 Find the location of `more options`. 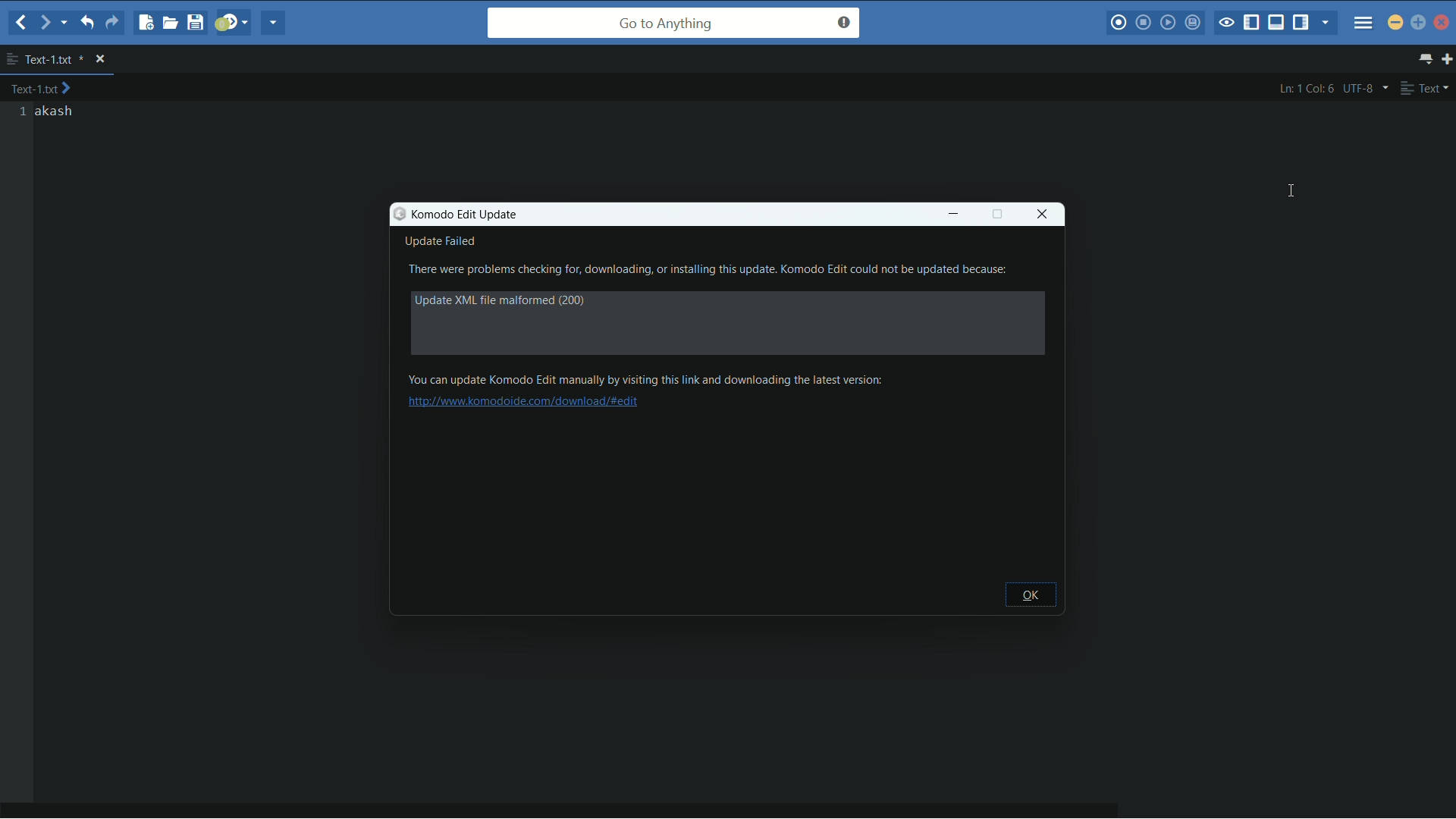

more options is located at coordinates (9, 61).